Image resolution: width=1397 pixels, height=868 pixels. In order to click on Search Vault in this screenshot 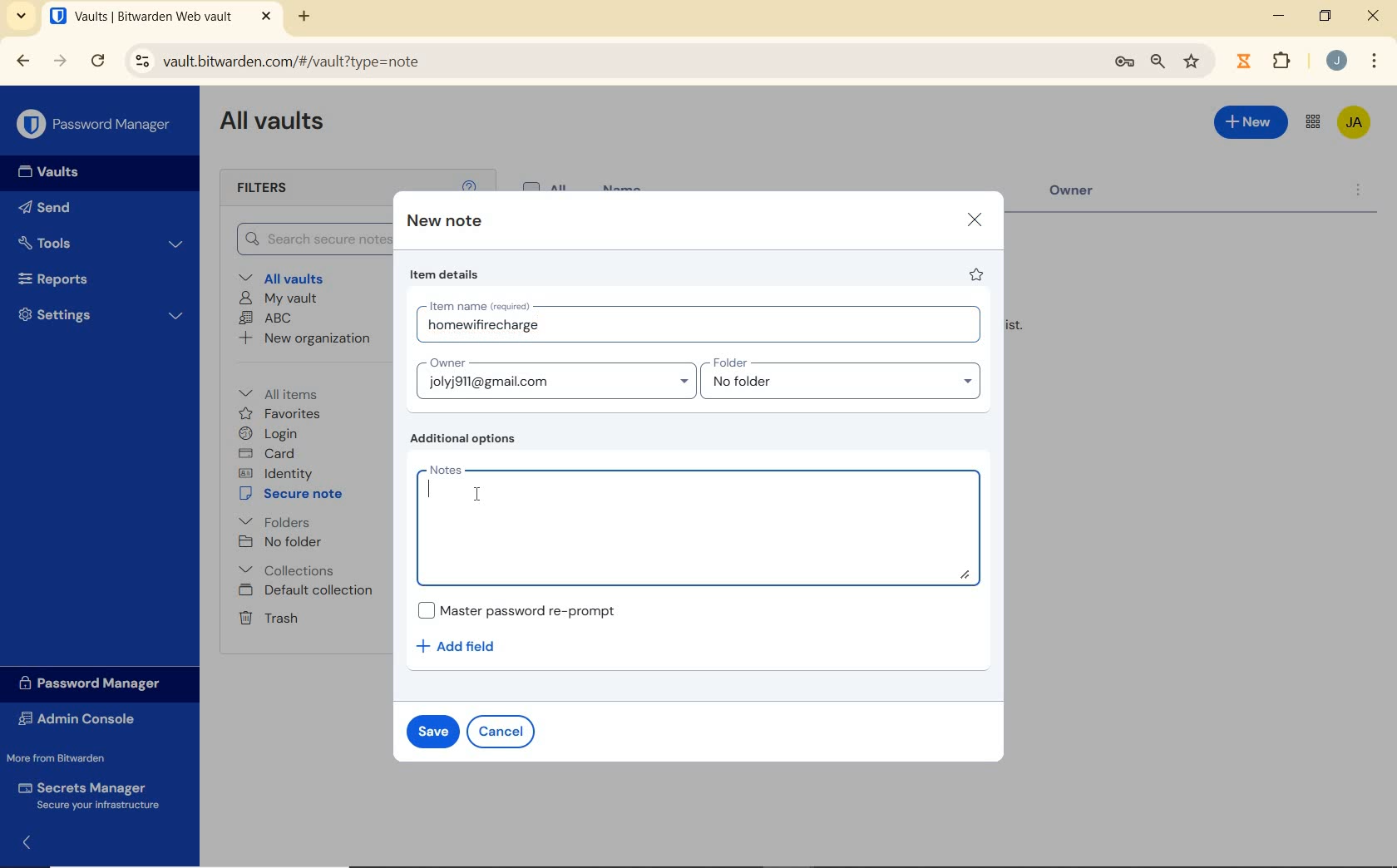, I will do `click(306, 240)`.